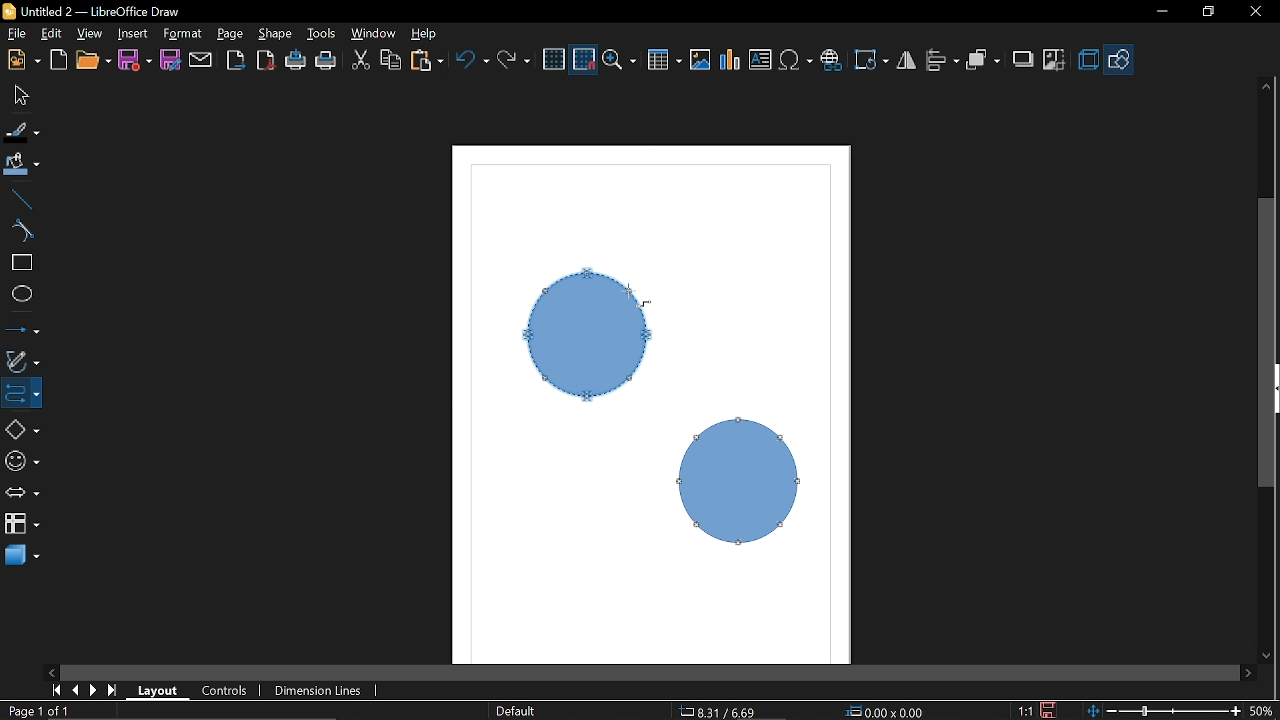  I want to click on Rotate, so click(872, 58).